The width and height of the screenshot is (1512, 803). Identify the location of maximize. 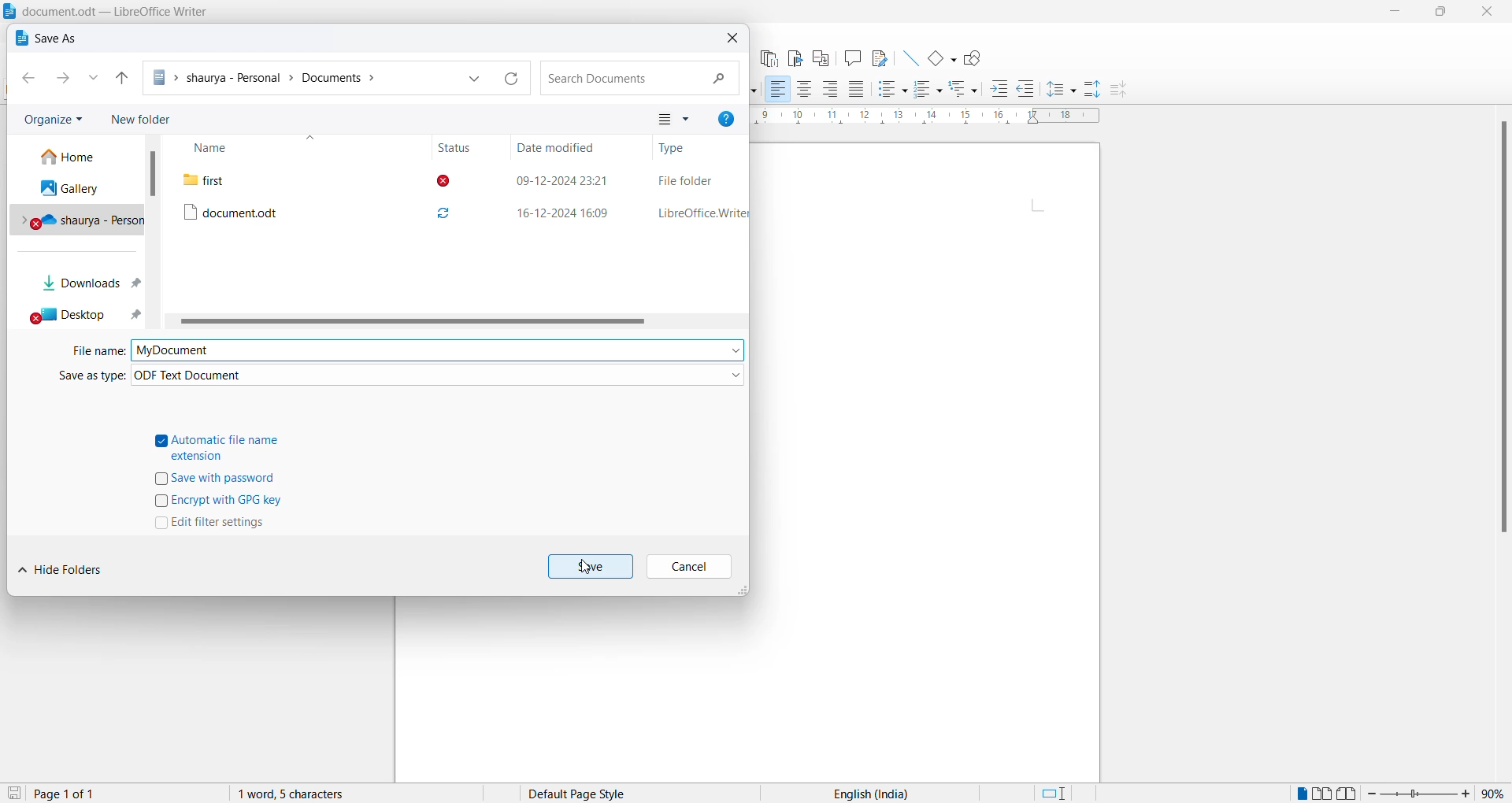
(1447, 13).